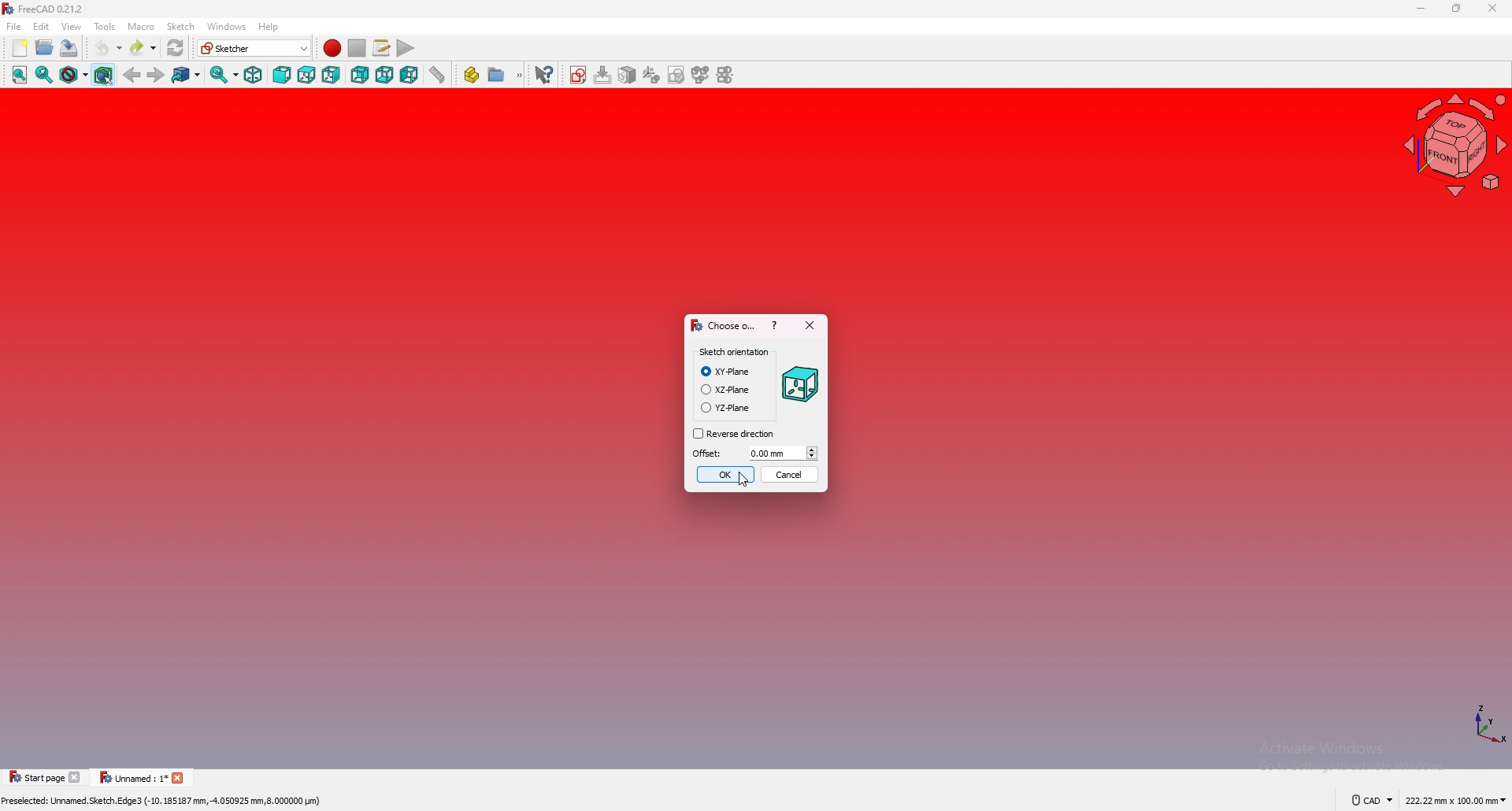 Image resolution: width=1512 pixels, height=811 pixels. I want to click on right, so click(331, 75).